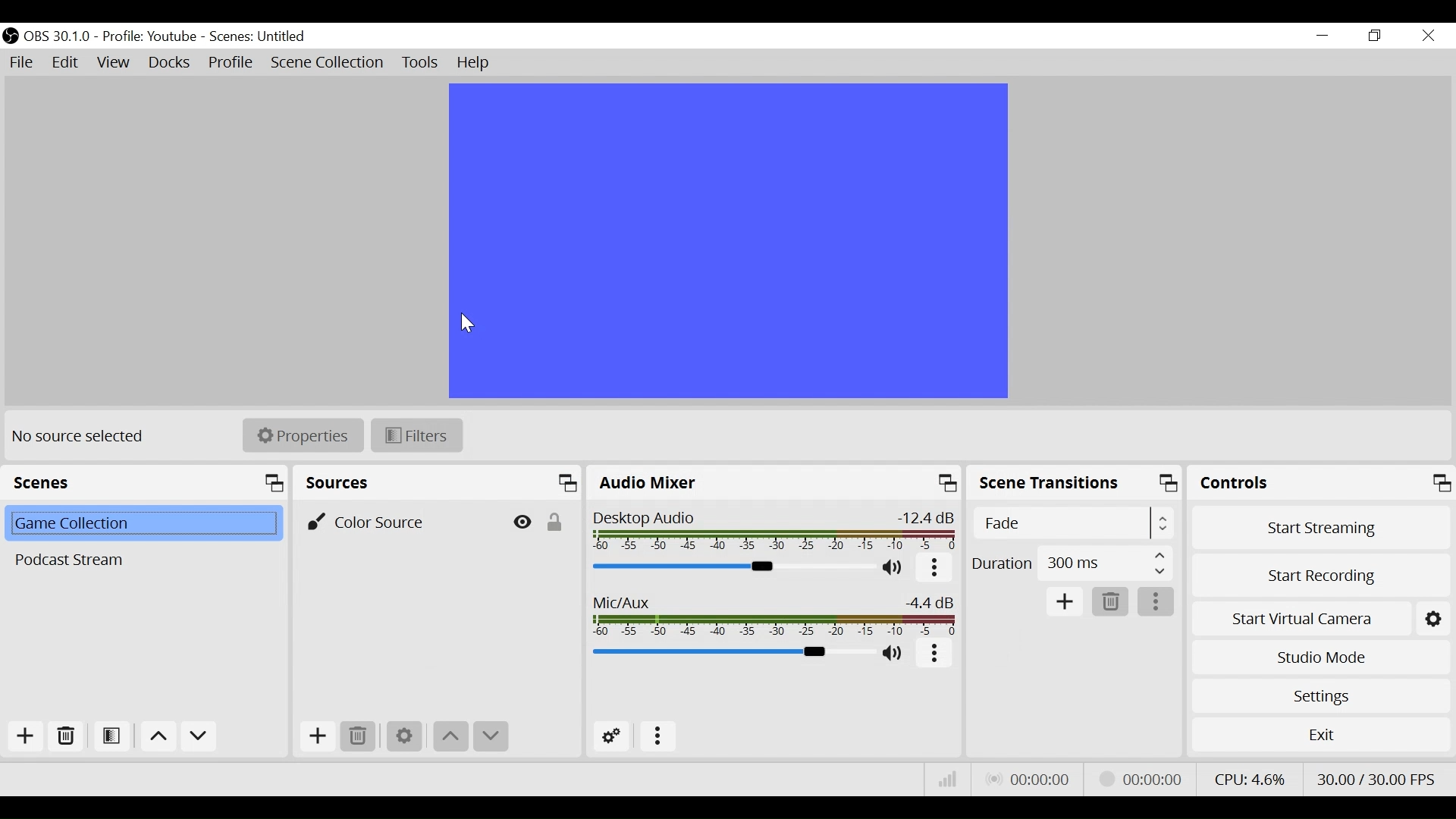 The height and width of the screenshot is (819, 1456). Describe the element at coordinates (145, 482) in the screenshot. I see `Scenes Panel` at that location.